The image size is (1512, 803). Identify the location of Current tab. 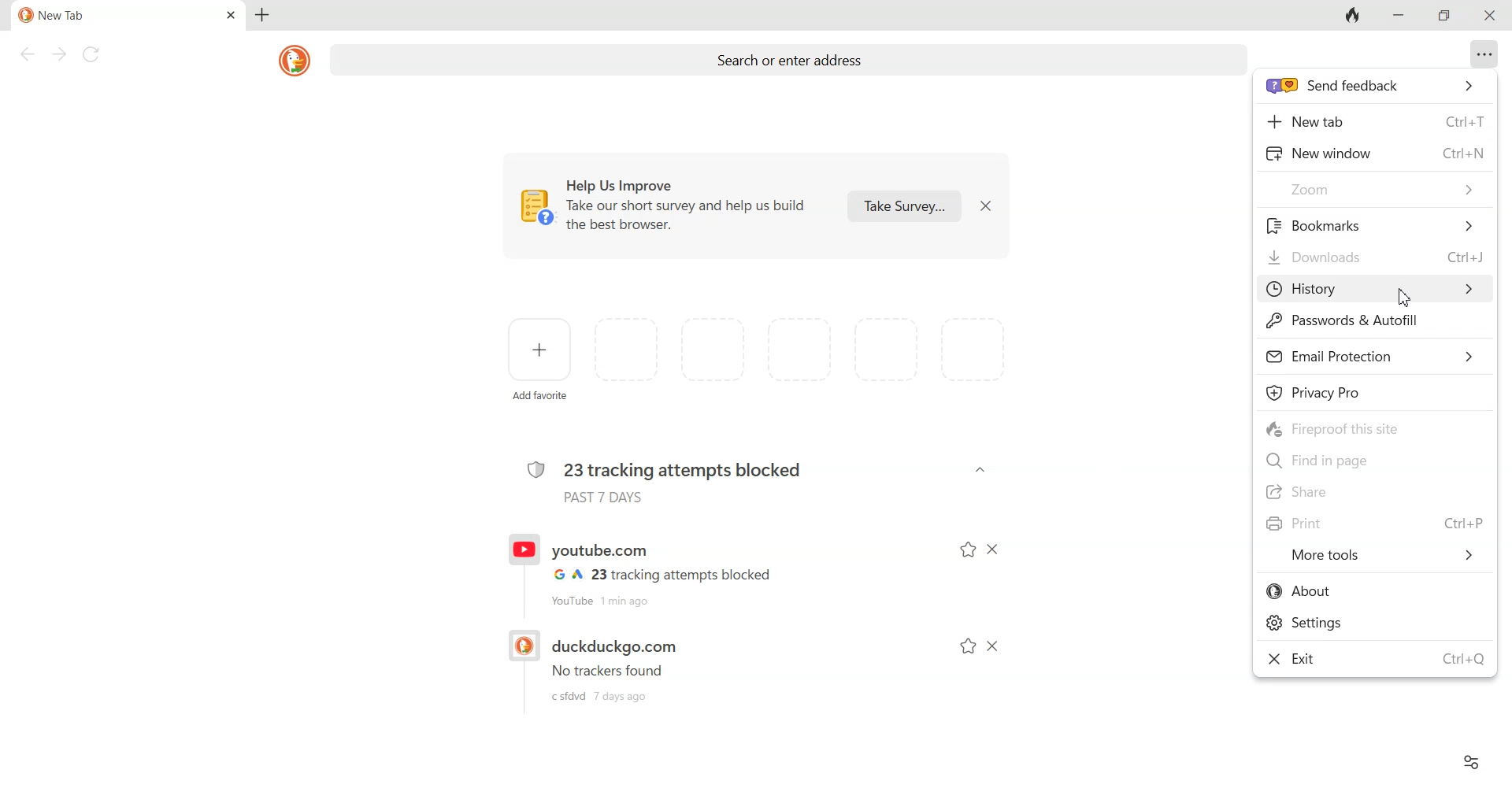
(103, 15).